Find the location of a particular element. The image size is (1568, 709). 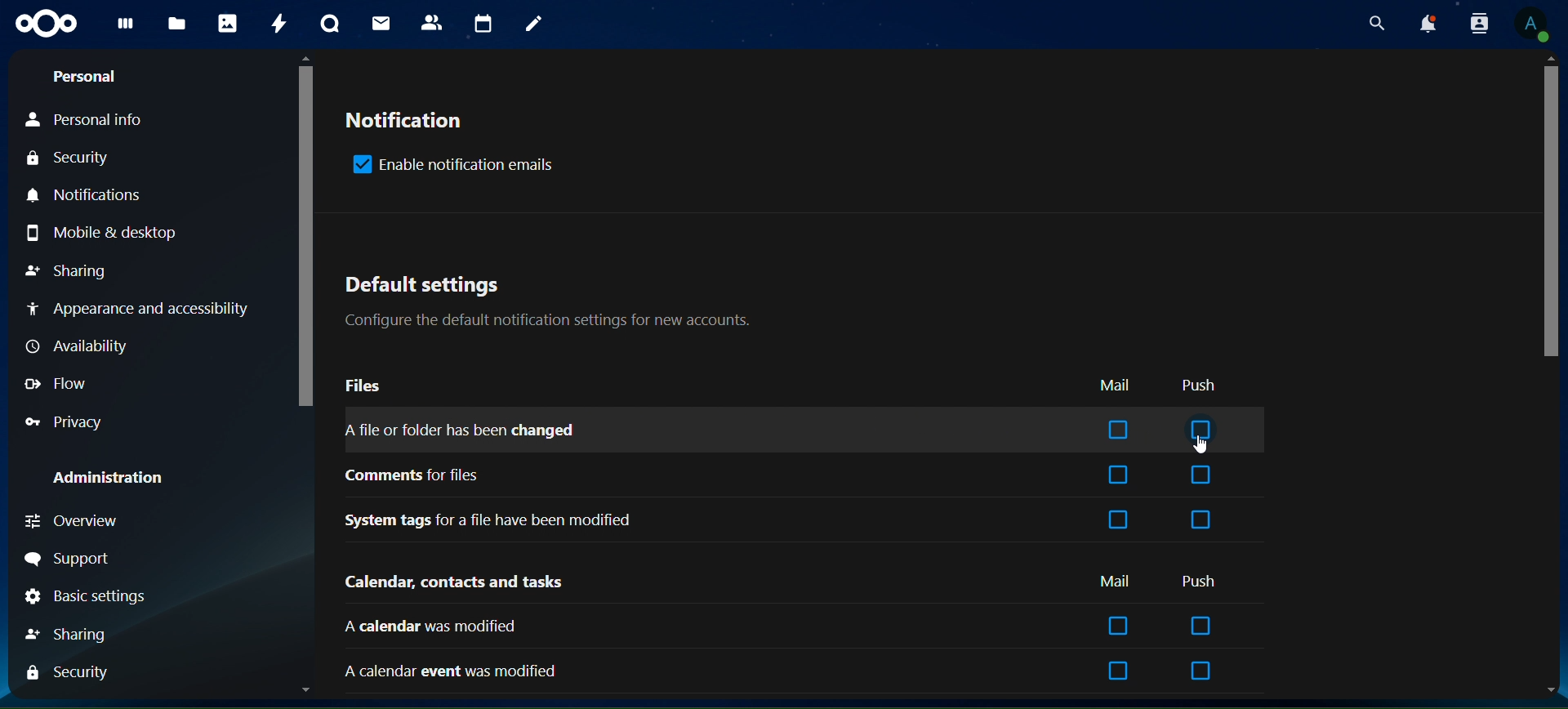

personal info is located at coordinates (87, 118).